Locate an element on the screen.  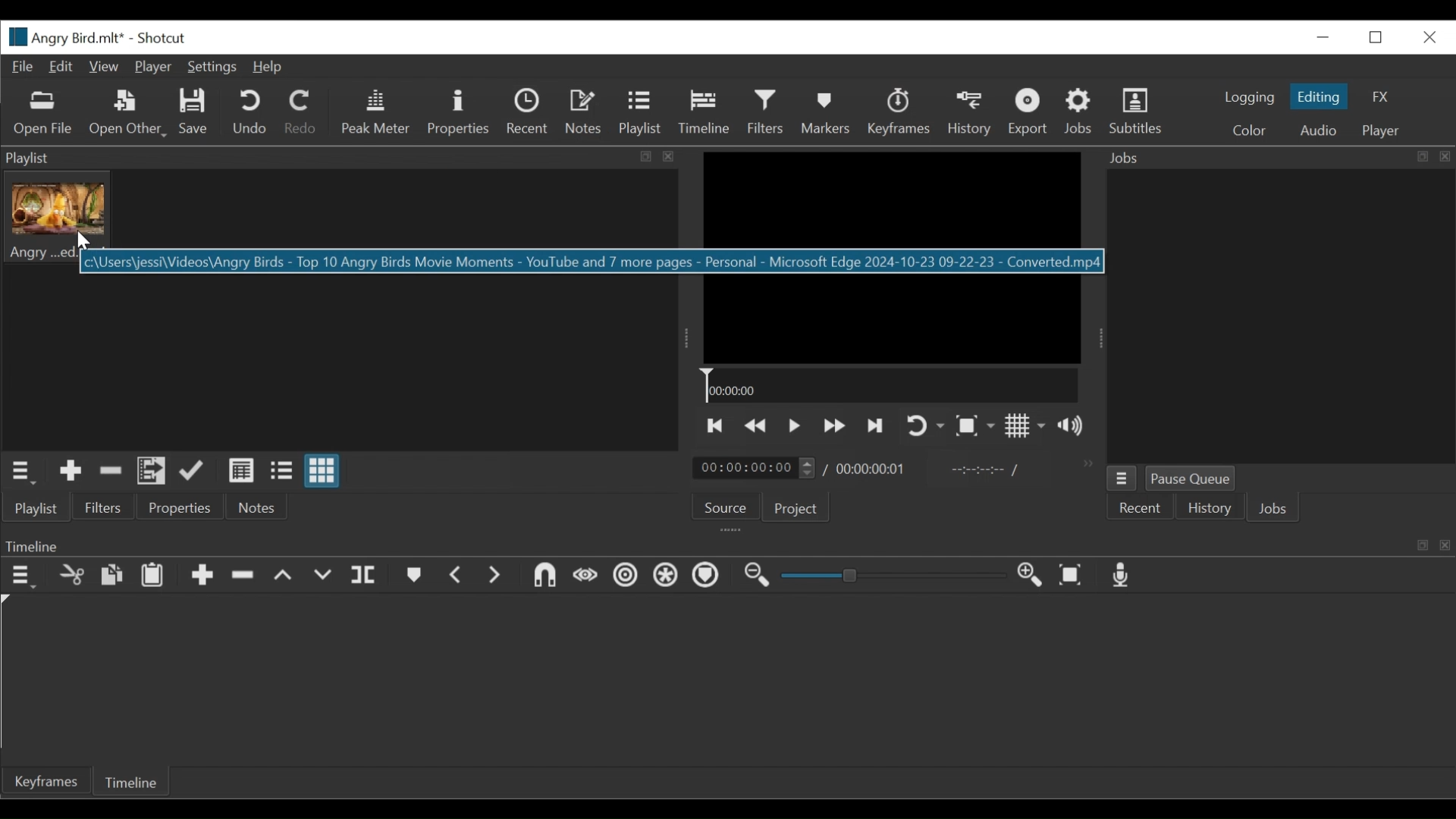
Cursor is located at coordinates (84, 240).